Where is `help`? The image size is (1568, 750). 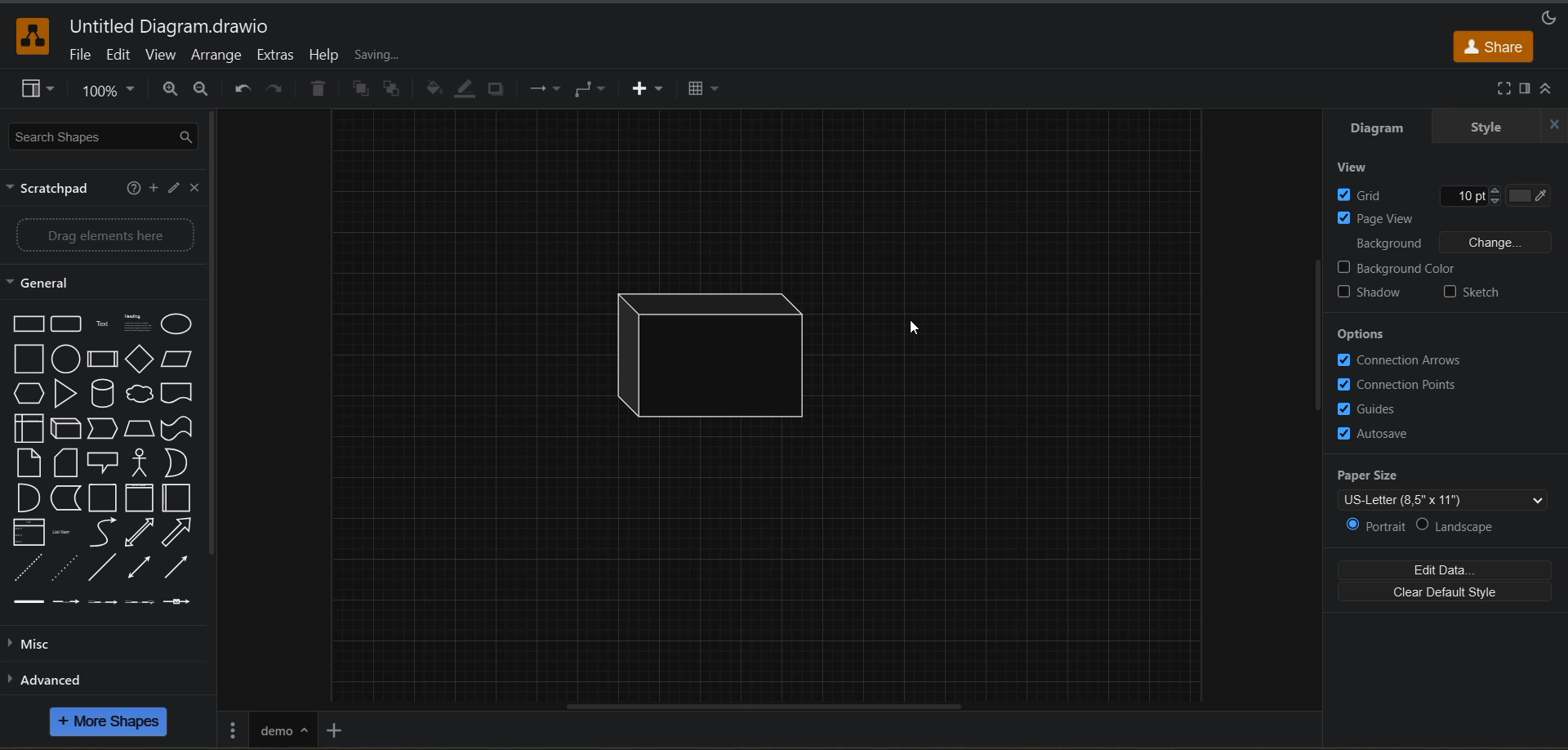
help is located at coordinates (326, 57).